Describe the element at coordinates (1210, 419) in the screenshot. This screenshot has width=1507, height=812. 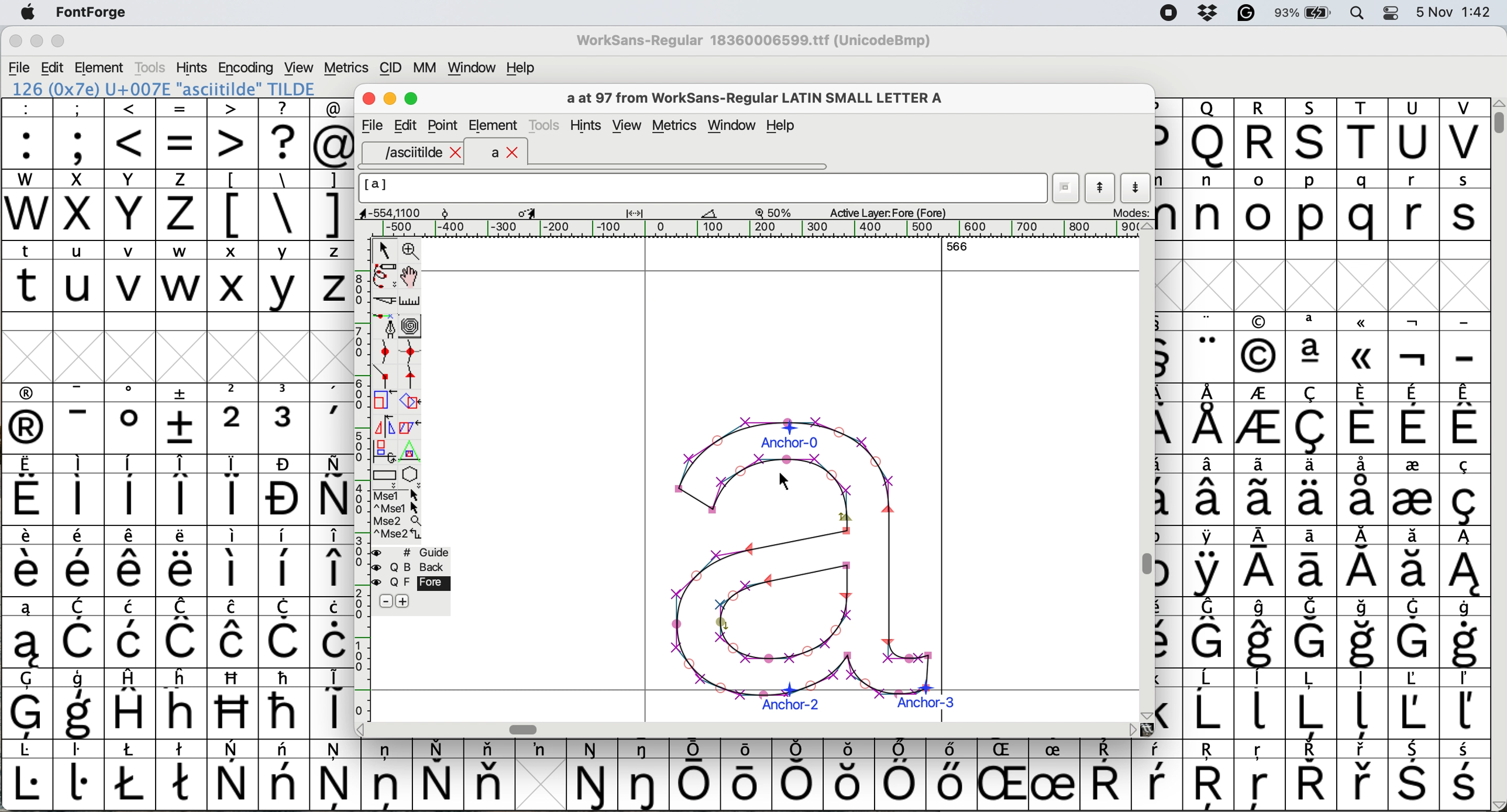
I see `symbol` at that location.